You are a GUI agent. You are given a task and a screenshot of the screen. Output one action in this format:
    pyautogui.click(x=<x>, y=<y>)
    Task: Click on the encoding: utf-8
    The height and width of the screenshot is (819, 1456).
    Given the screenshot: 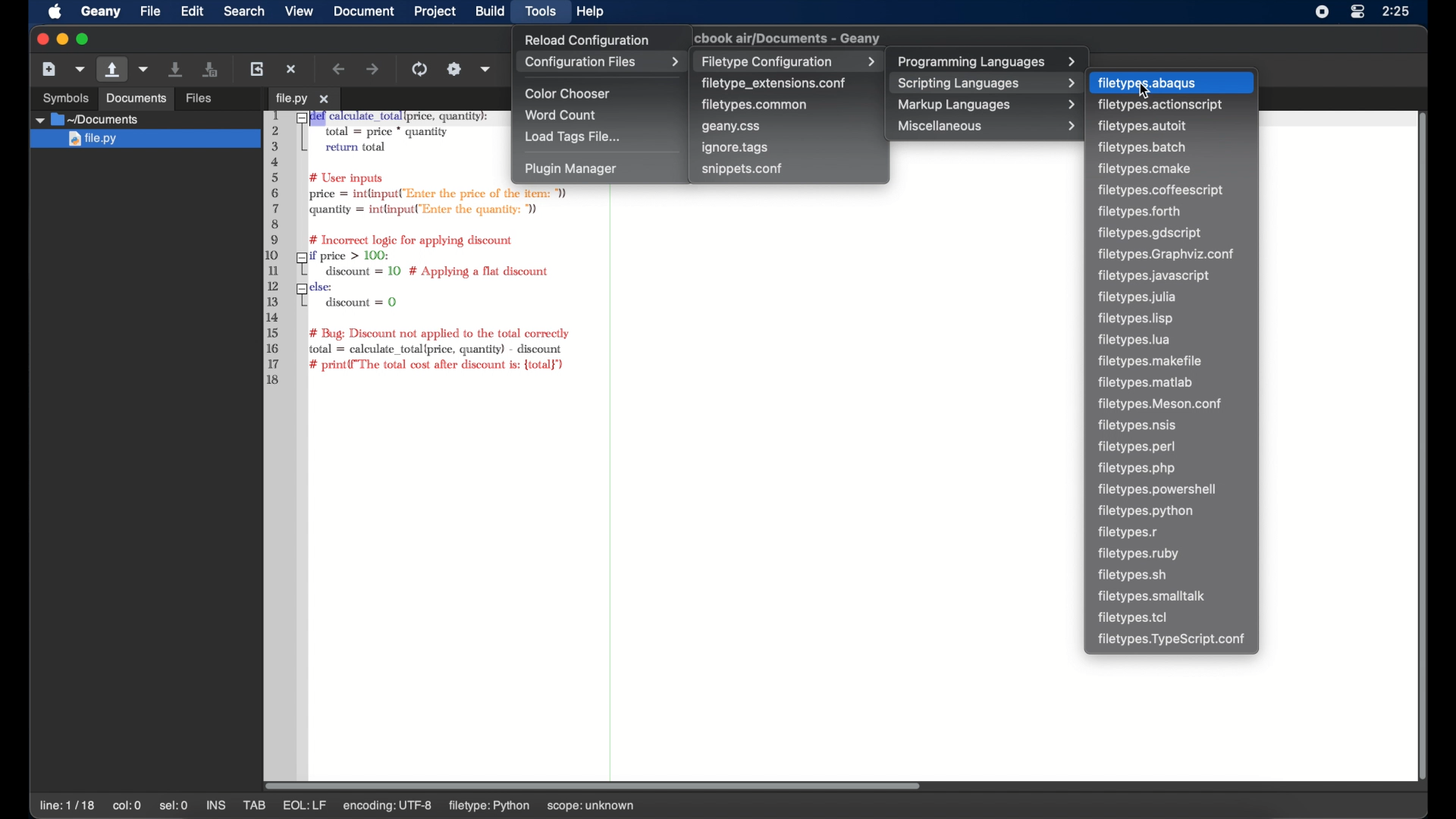 What is the action you would take?
    pyautogui.click(x=433, y=805)
    